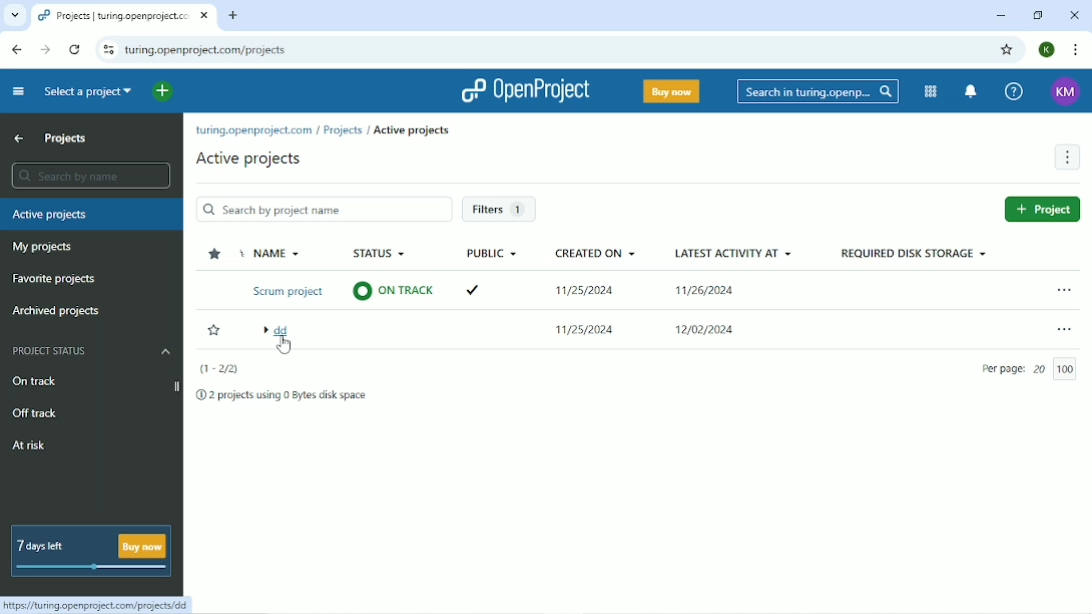 Image resolution: width=1092 pixels, height=614 pixels. Describe the element at coordinates (15, 48) in the screenshot. I see `Back` at that location.